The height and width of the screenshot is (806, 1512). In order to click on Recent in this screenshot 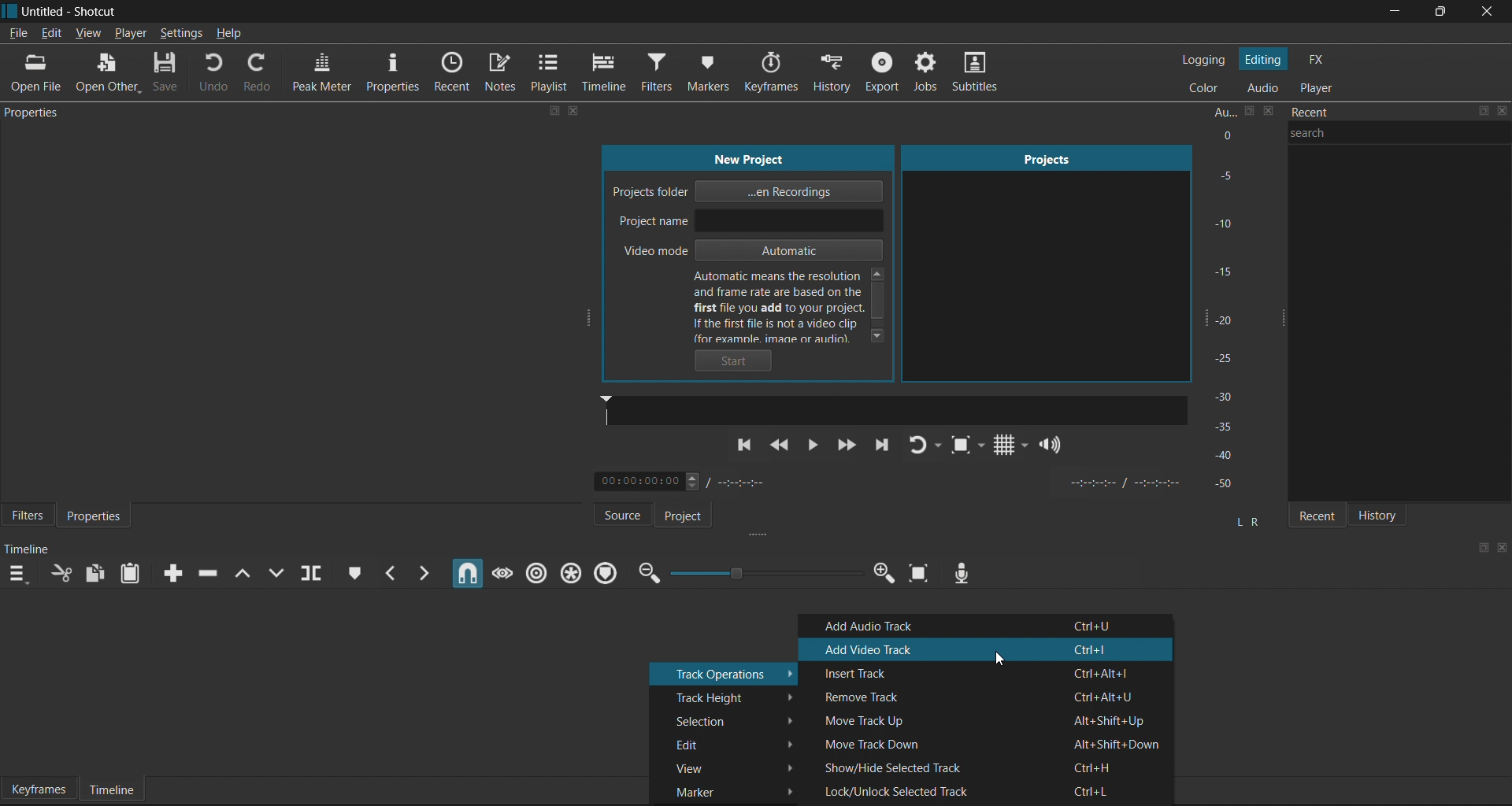, I will do `click(455, 72)`.